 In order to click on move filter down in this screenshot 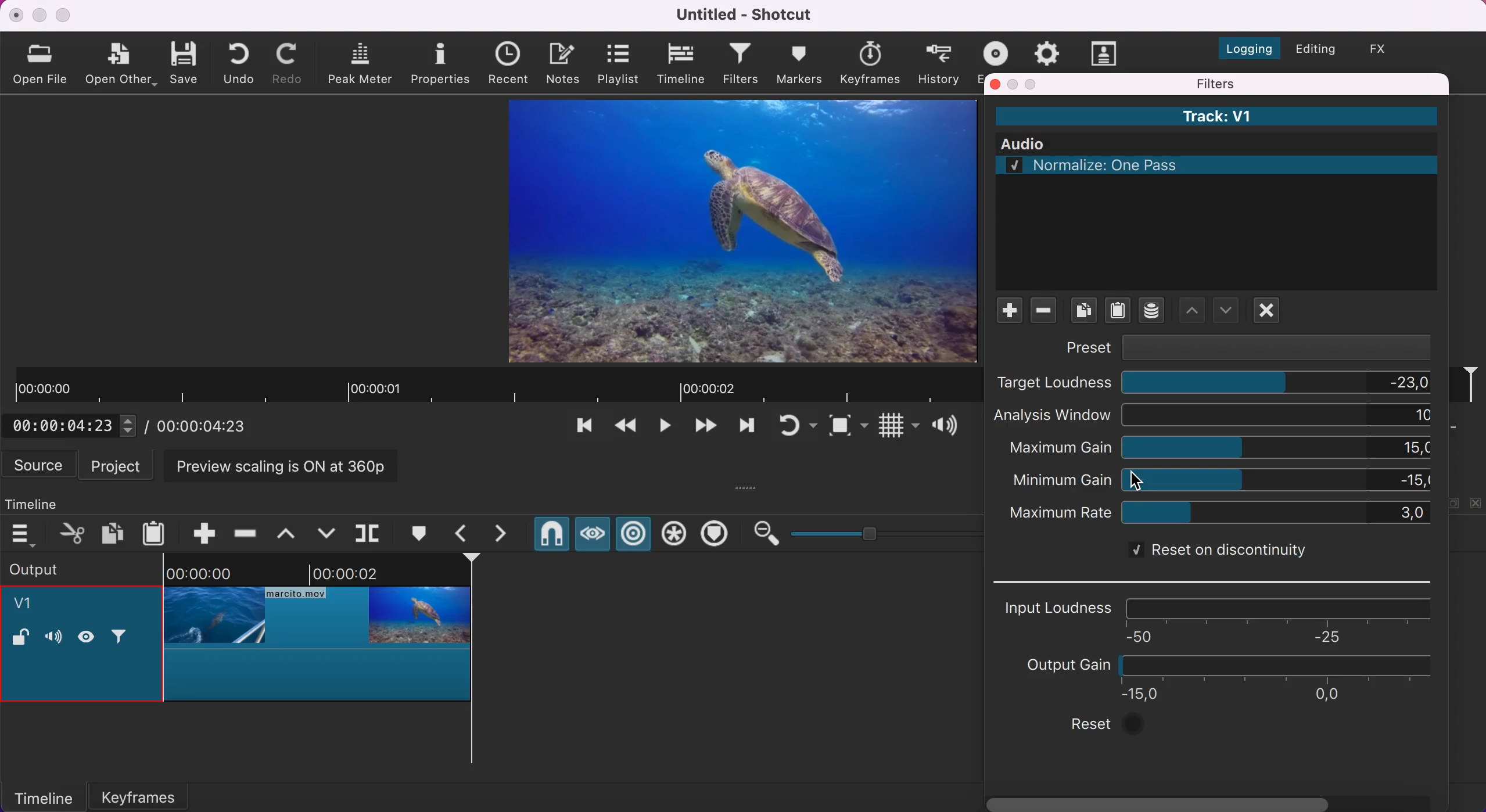, I will do `click(1191, 310)`.